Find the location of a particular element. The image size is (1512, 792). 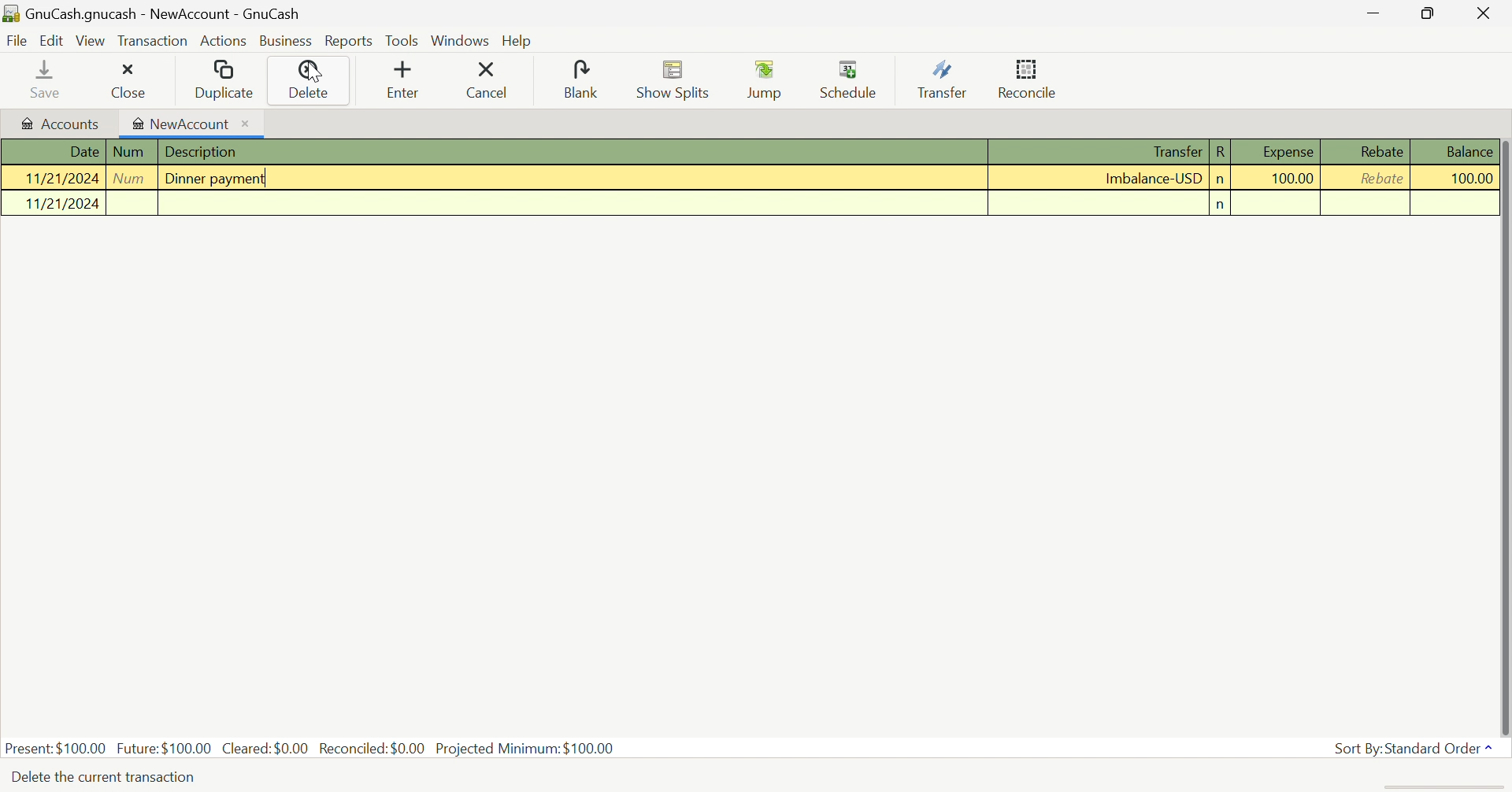

Delete the current transaction is located at coordinates (106, 775).